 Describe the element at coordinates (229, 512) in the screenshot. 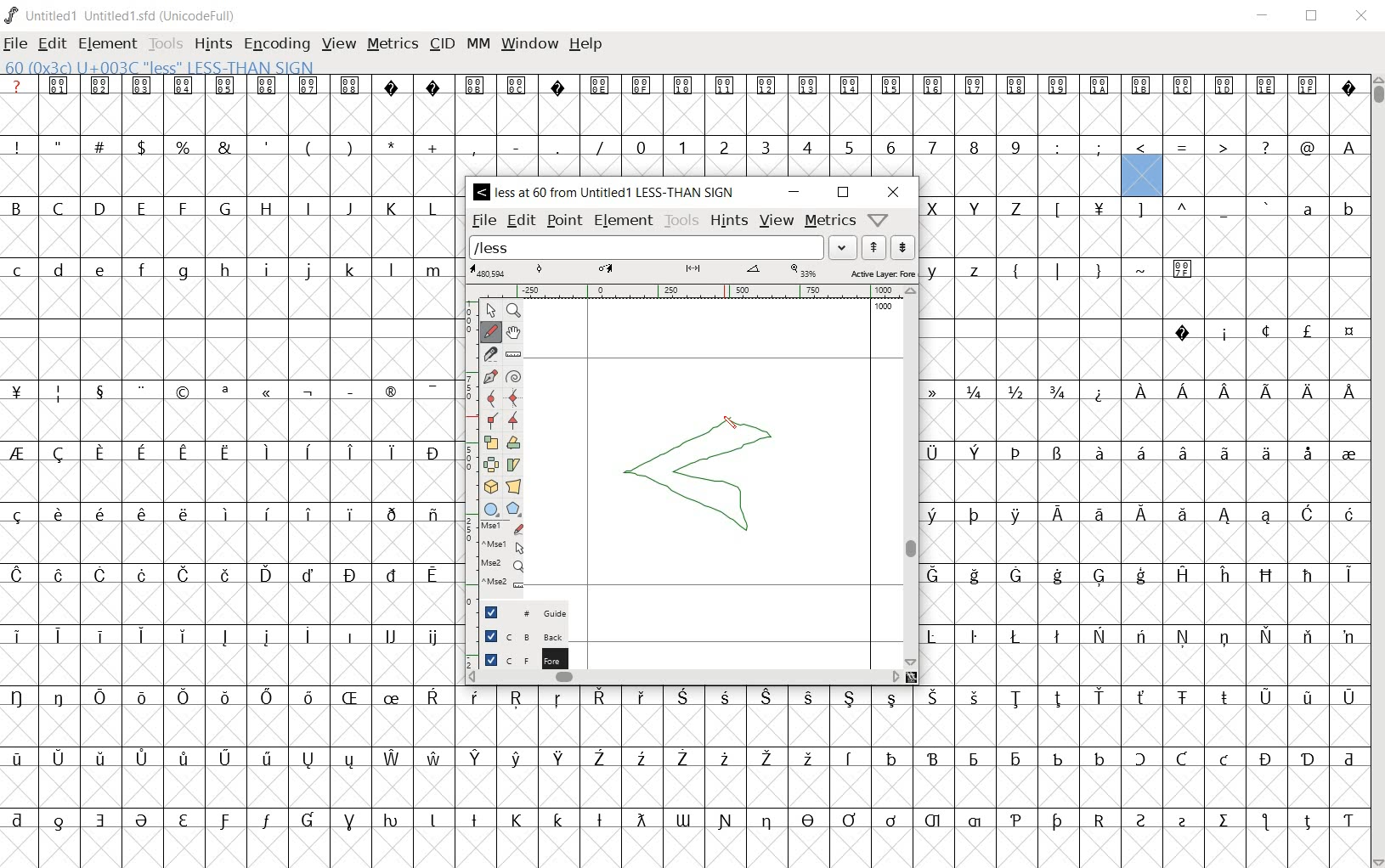

I see `special letters` at that location.